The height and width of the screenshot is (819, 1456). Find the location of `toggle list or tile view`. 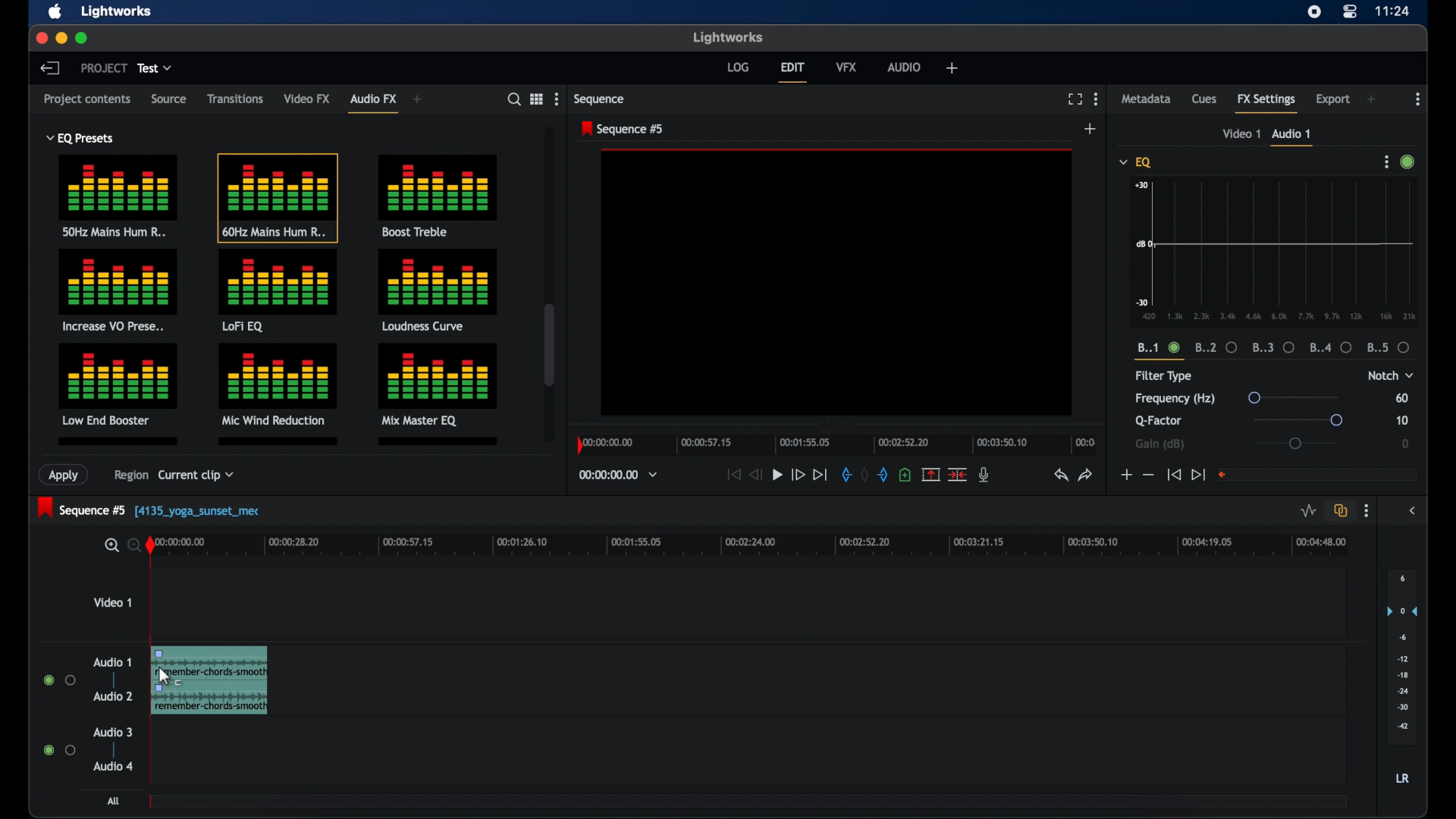

toggle list or tile view is located at coordinates (536, 98).